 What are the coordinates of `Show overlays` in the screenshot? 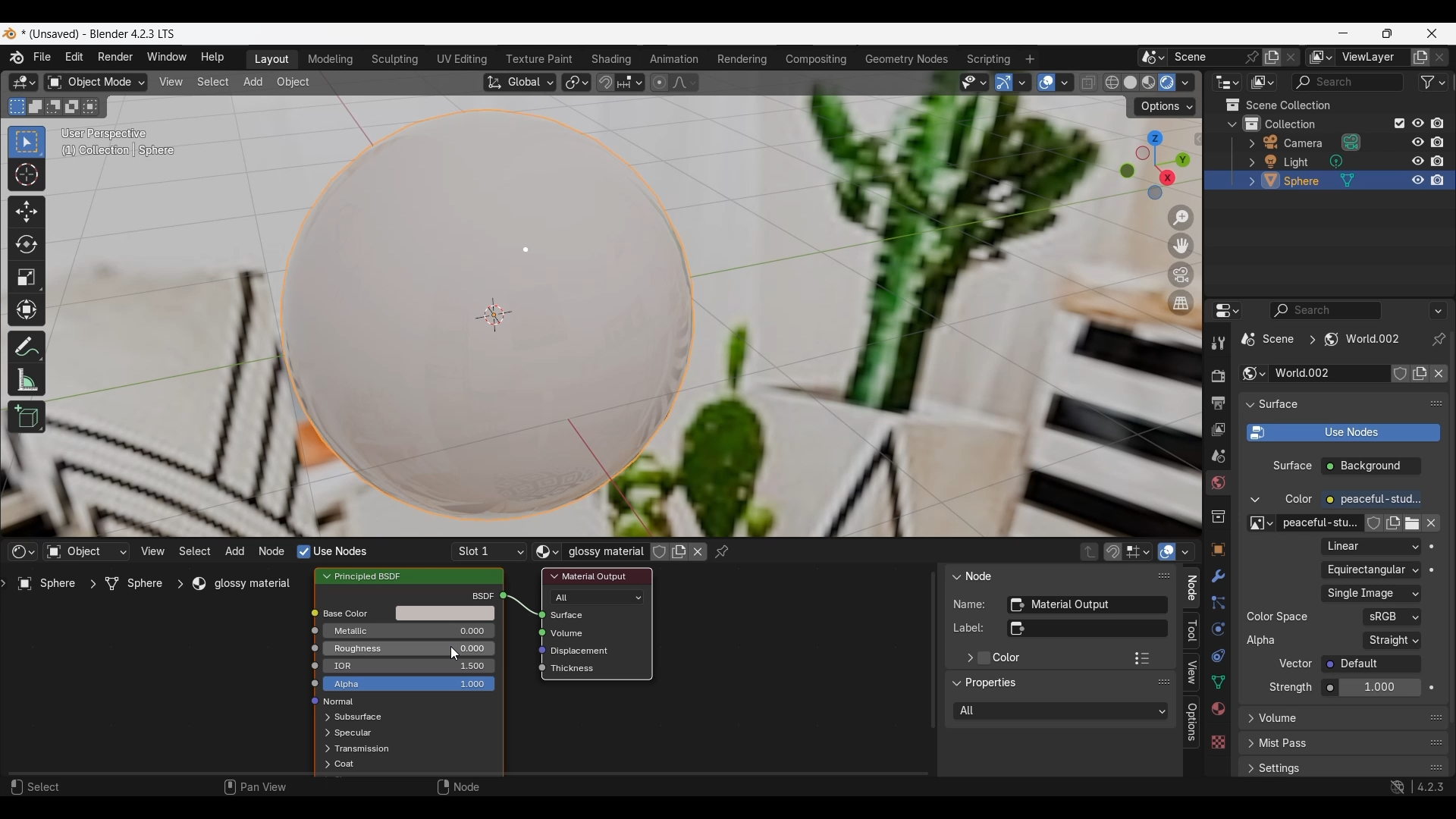 It's located at (1168, 551).